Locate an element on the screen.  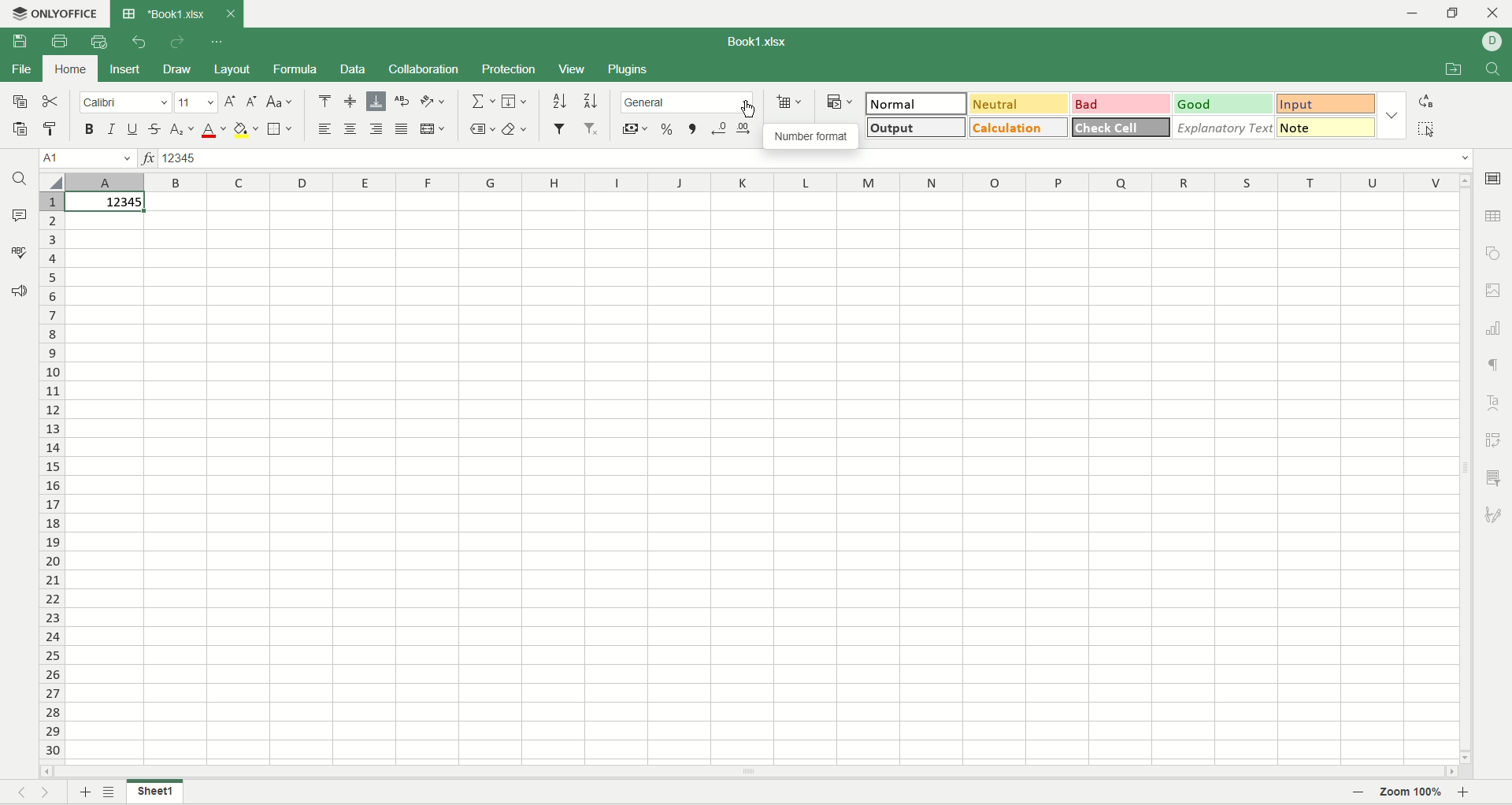
minimize is located at coordinates (1418, 13).